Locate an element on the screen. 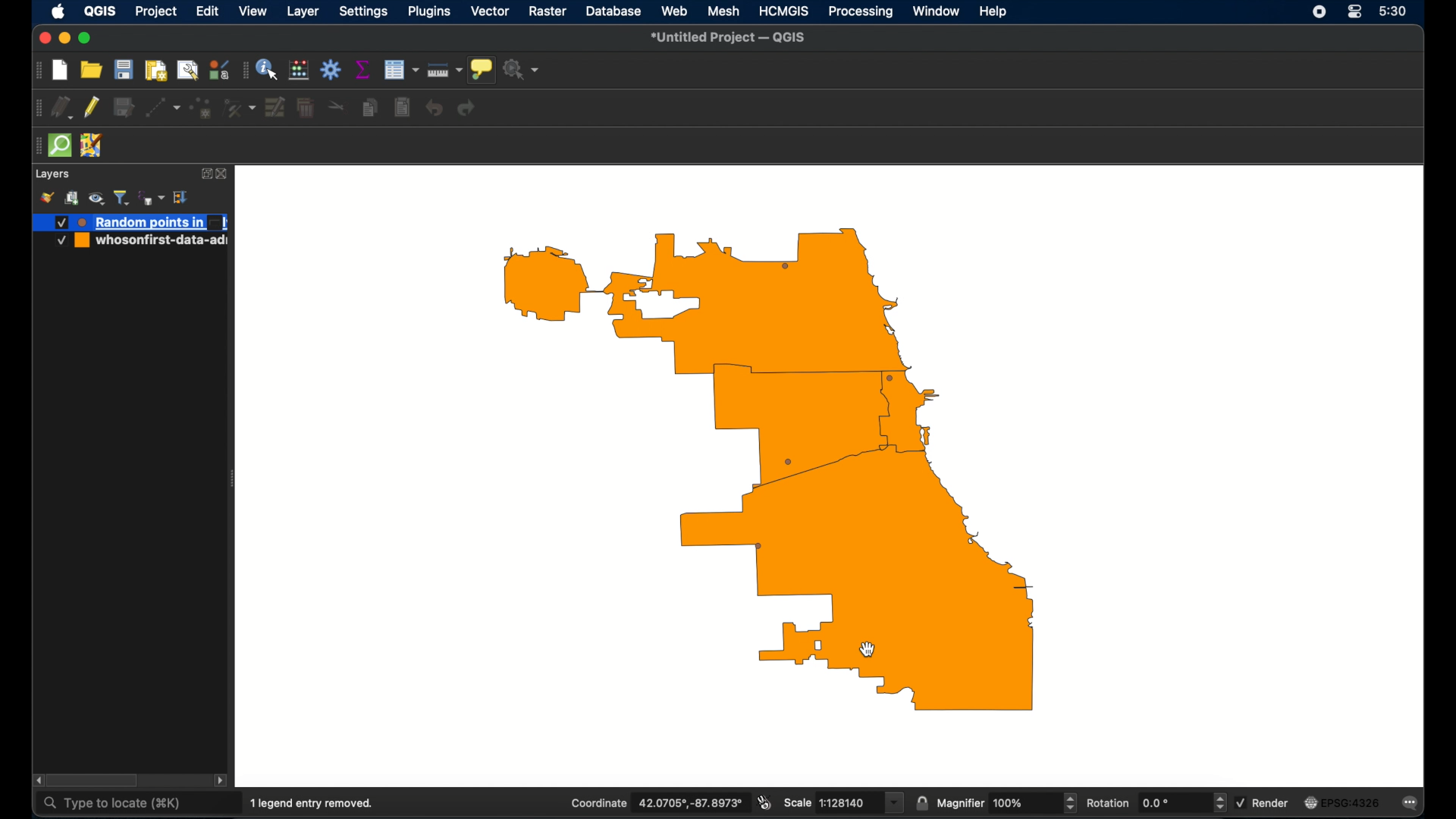 The image size is (1456, 819). database is located at coordinates (613, 11).